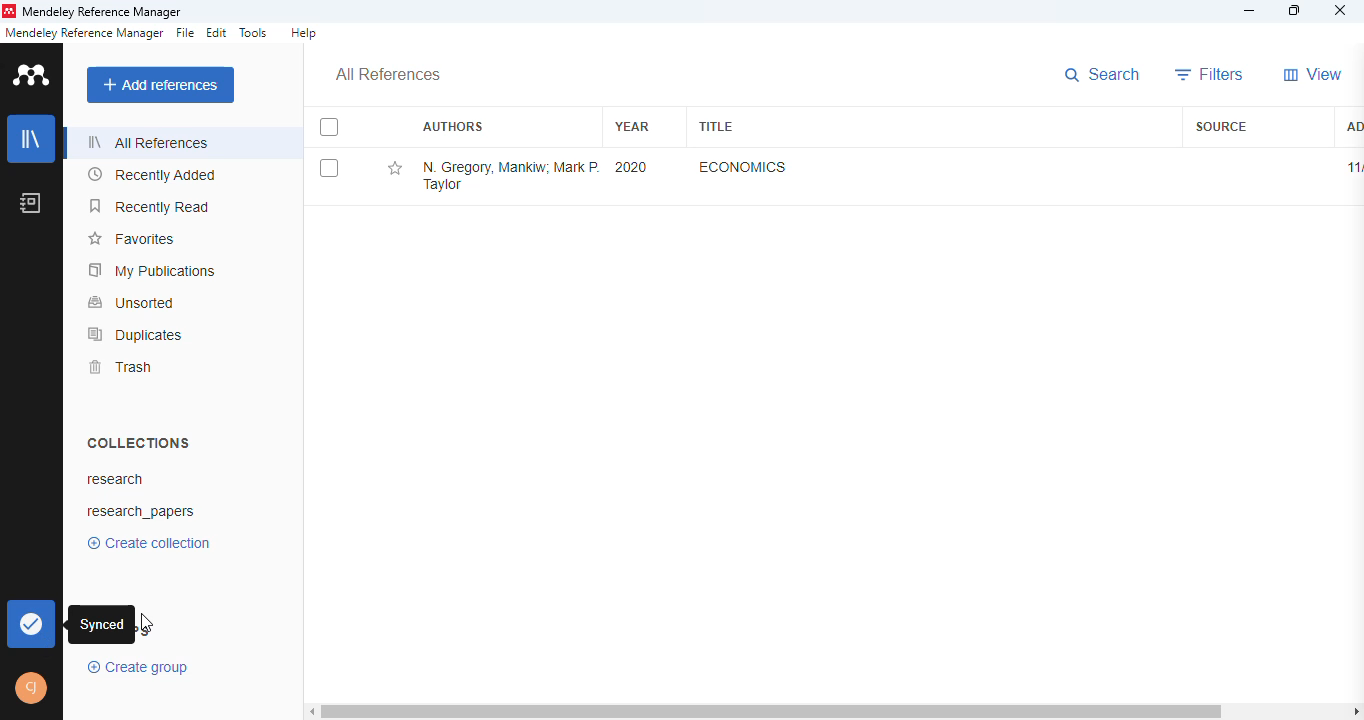  Describe the element at coordinates (1222, 125) in the screenshot. I see `source` at that location.